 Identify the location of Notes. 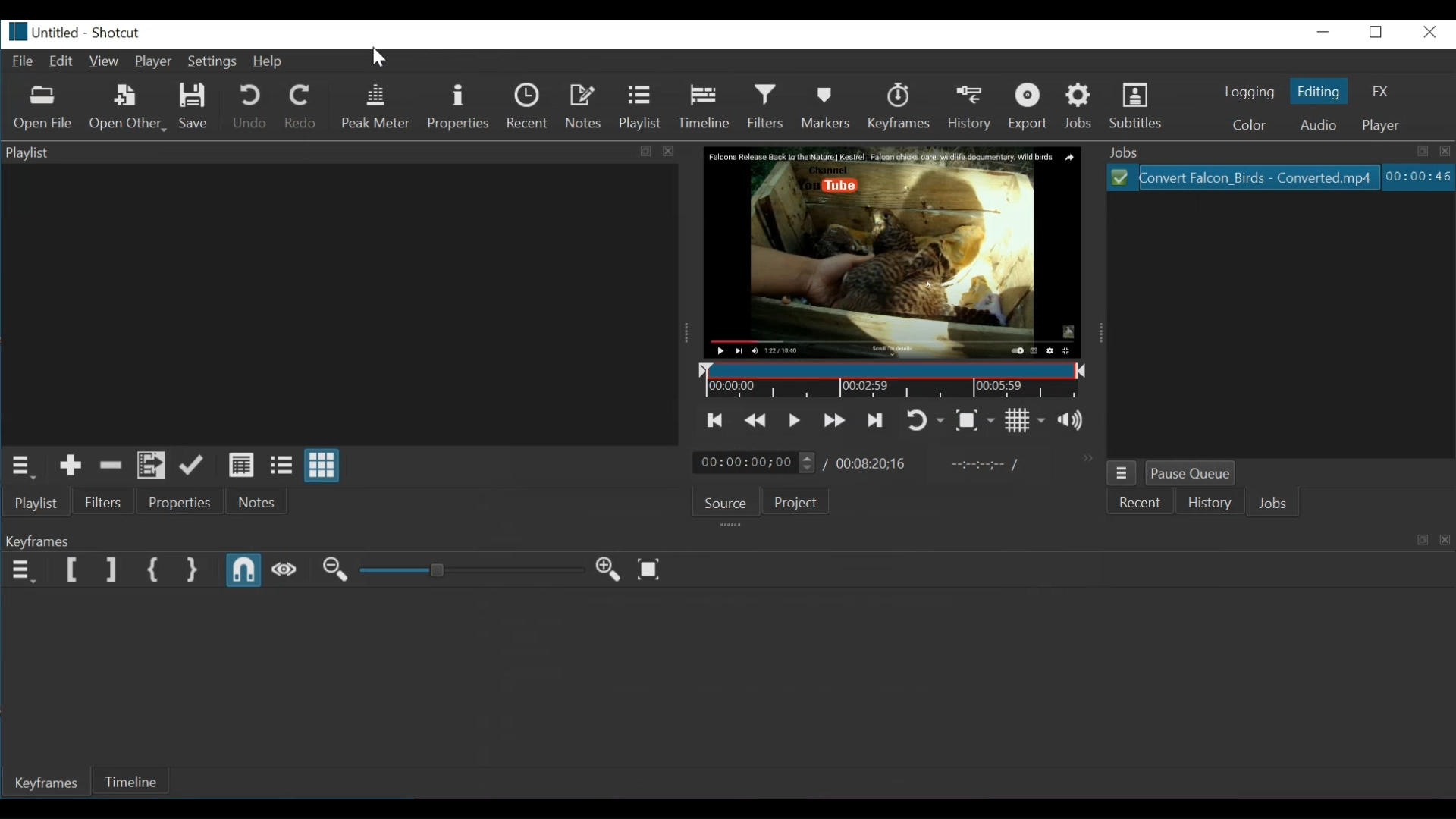
(584, 106).